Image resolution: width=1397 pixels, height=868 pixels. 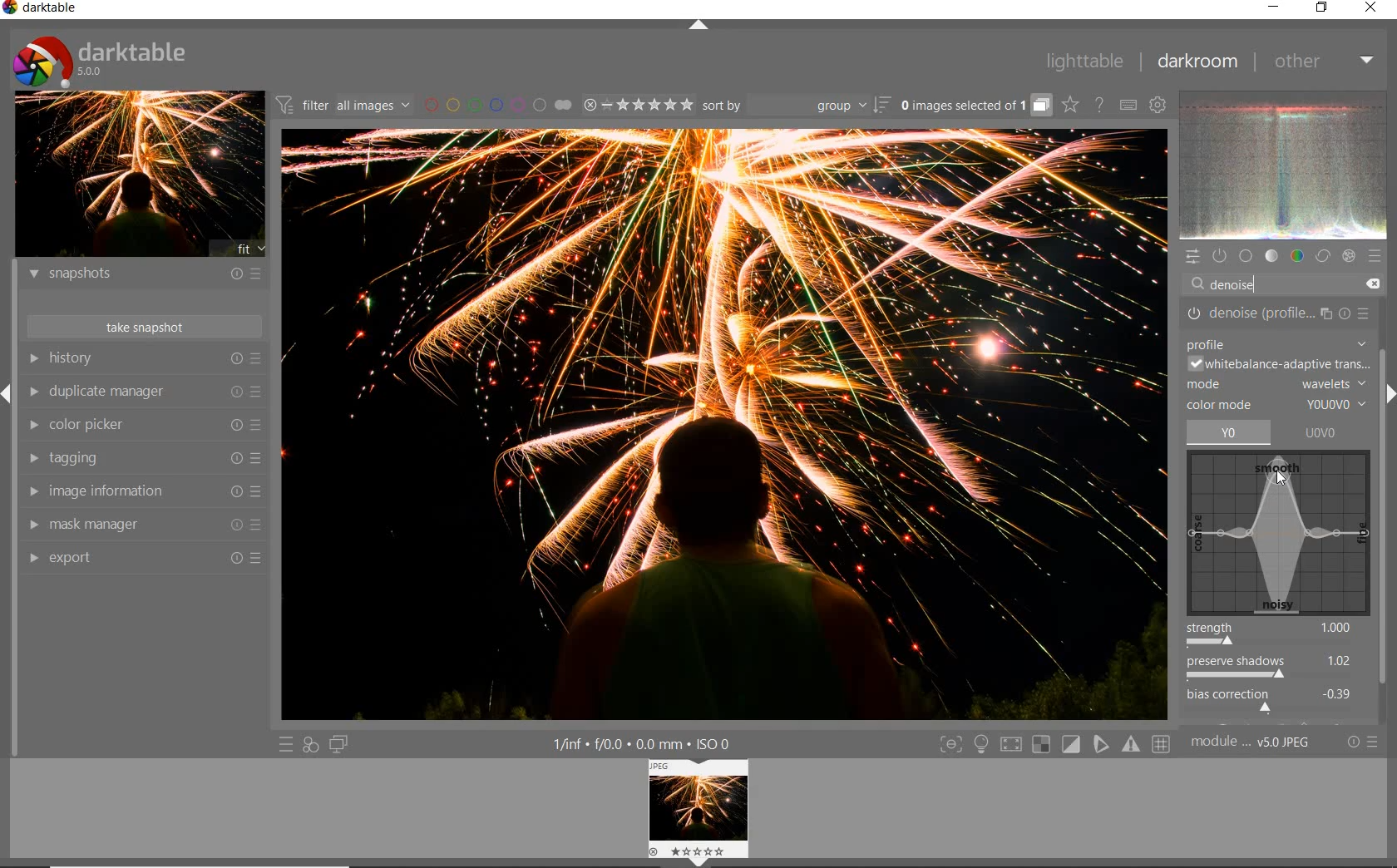 What do you see at coordinates (1156, 105) in the screenshot?
I see `show global preferences` at bounding box center [1156, 105].